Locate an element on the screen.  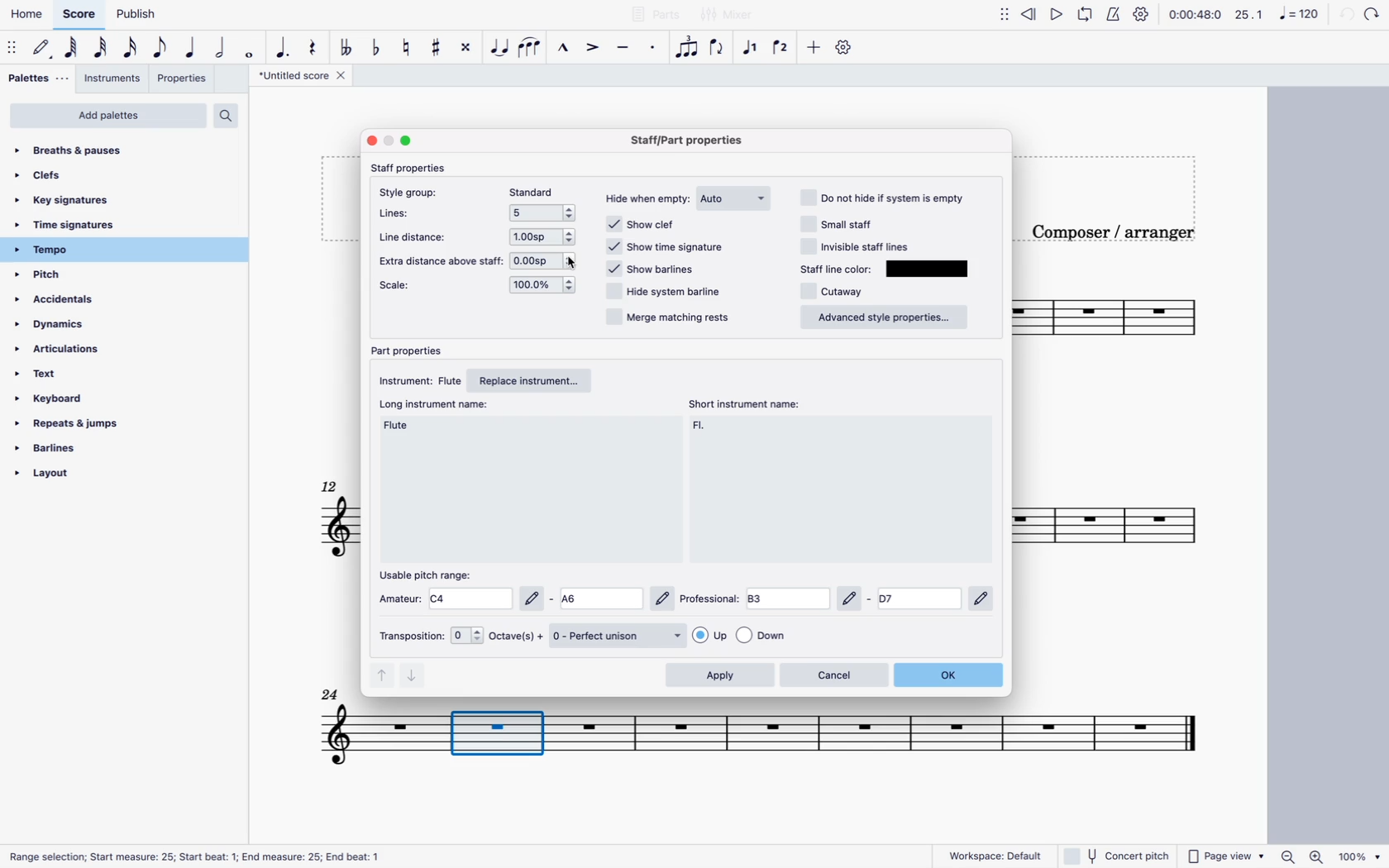
slur is located at coordinates (531, 48).